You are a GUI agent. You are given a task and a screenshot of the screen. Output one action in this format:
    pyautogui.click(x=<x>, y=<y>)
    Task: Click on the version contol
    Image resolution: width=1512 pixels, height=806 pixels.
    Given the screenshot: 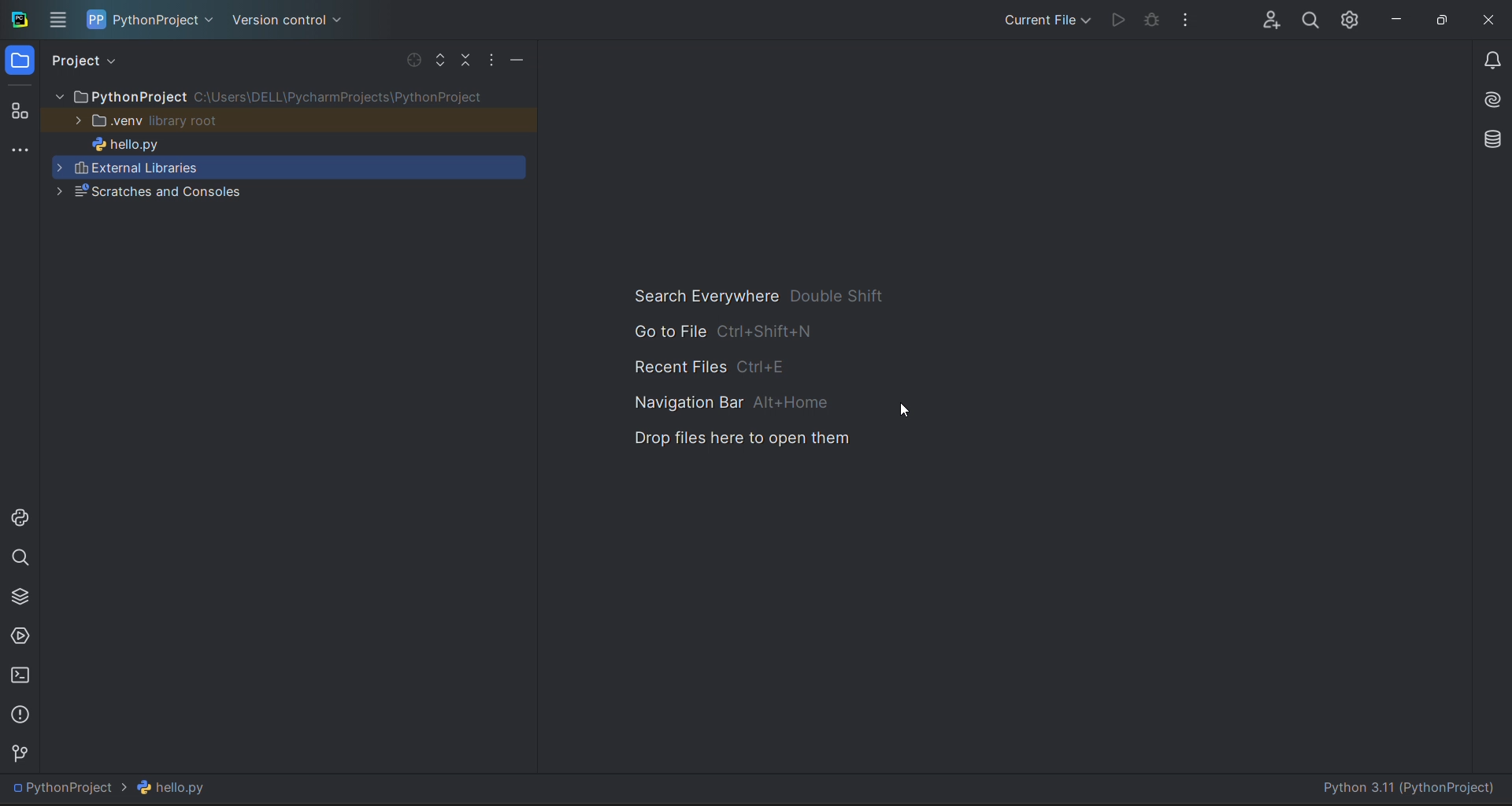 What is the action you would take?
    pyautogui.click(x=22, y=755)
    